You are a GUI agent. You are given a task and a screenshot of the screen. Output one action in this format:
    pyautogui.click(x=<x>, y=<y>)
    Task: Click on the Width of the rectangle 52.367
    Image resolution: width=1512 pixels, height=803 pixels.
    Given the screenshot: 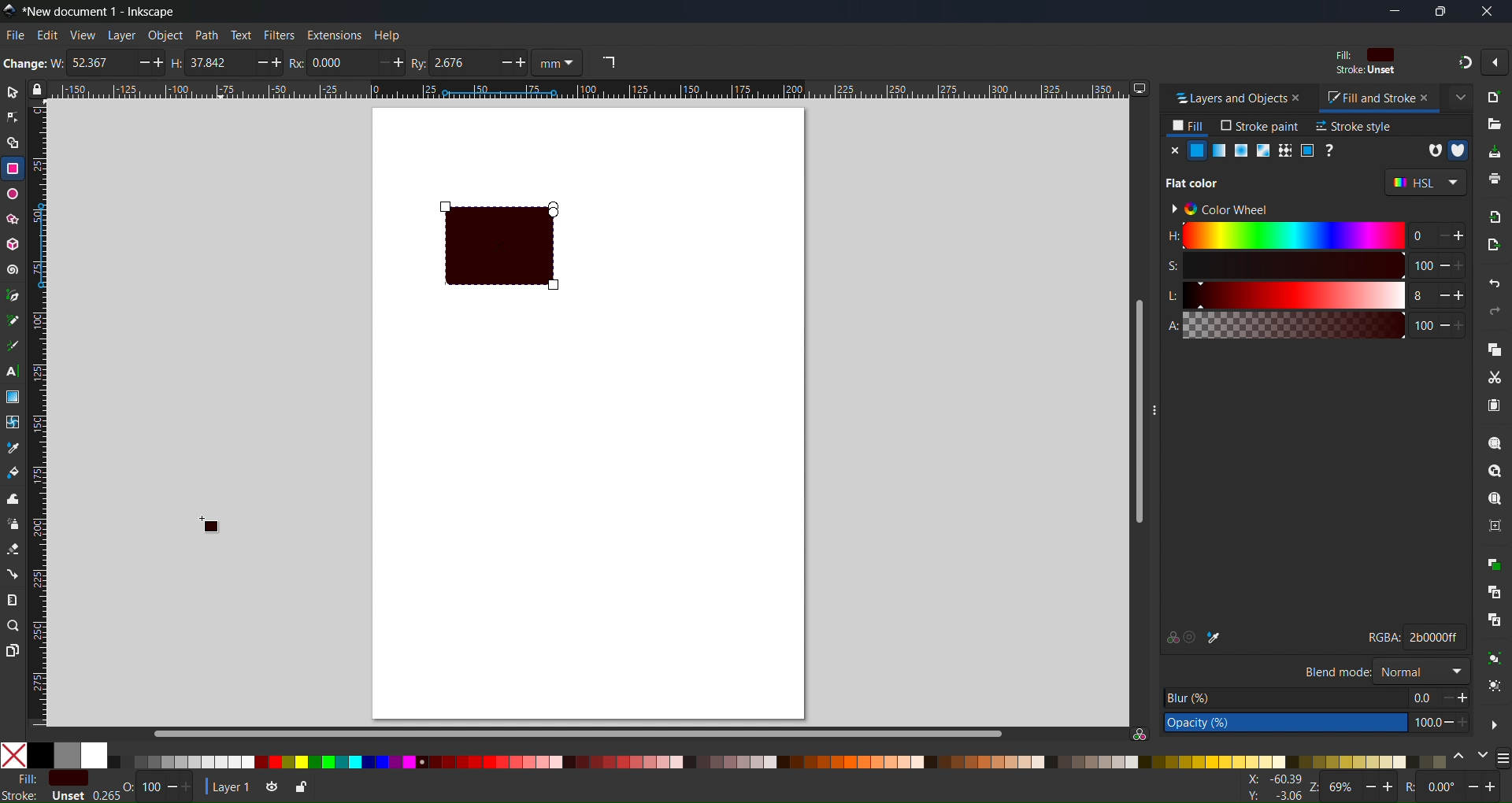 What is the action you would take?
    pyautogui.click(x=95, y=64)
    